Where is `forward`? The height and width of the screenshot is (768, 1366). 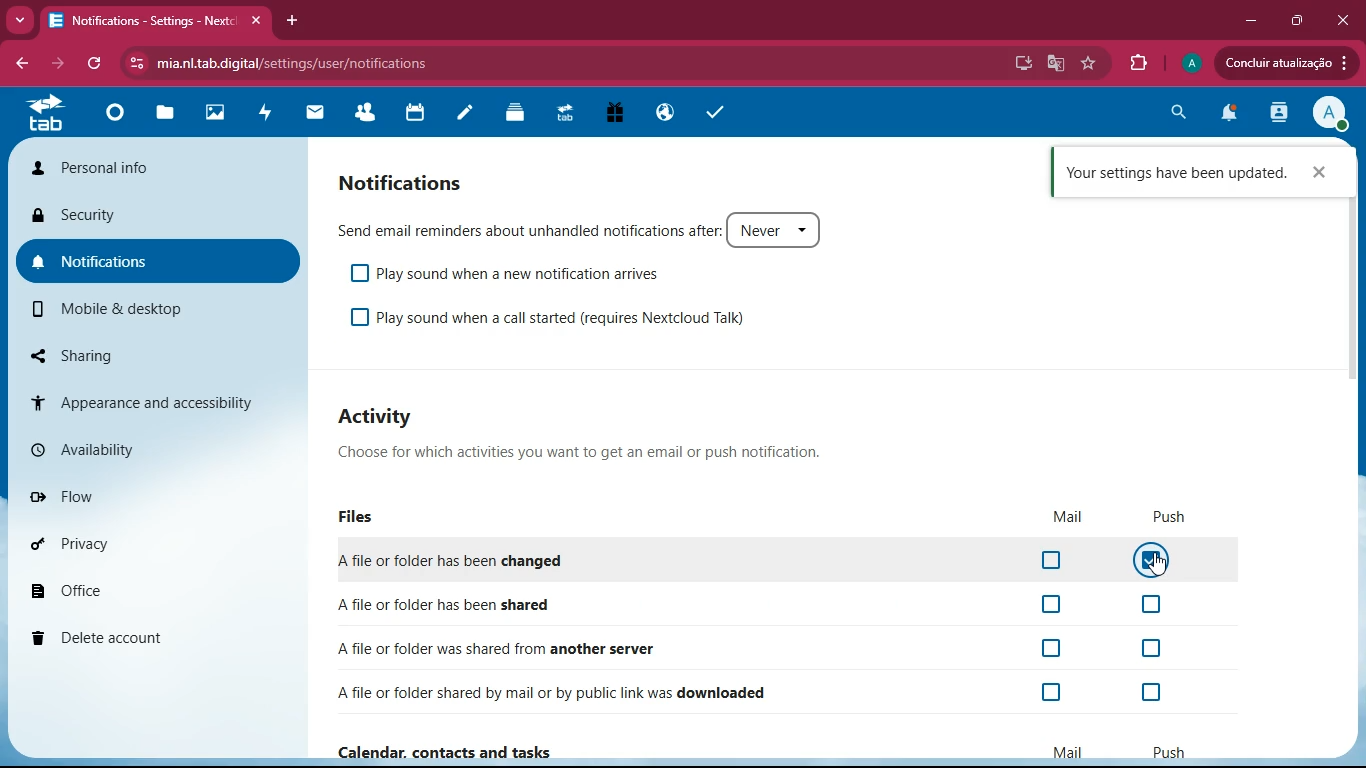 forward is located at coordinates (58, 63).